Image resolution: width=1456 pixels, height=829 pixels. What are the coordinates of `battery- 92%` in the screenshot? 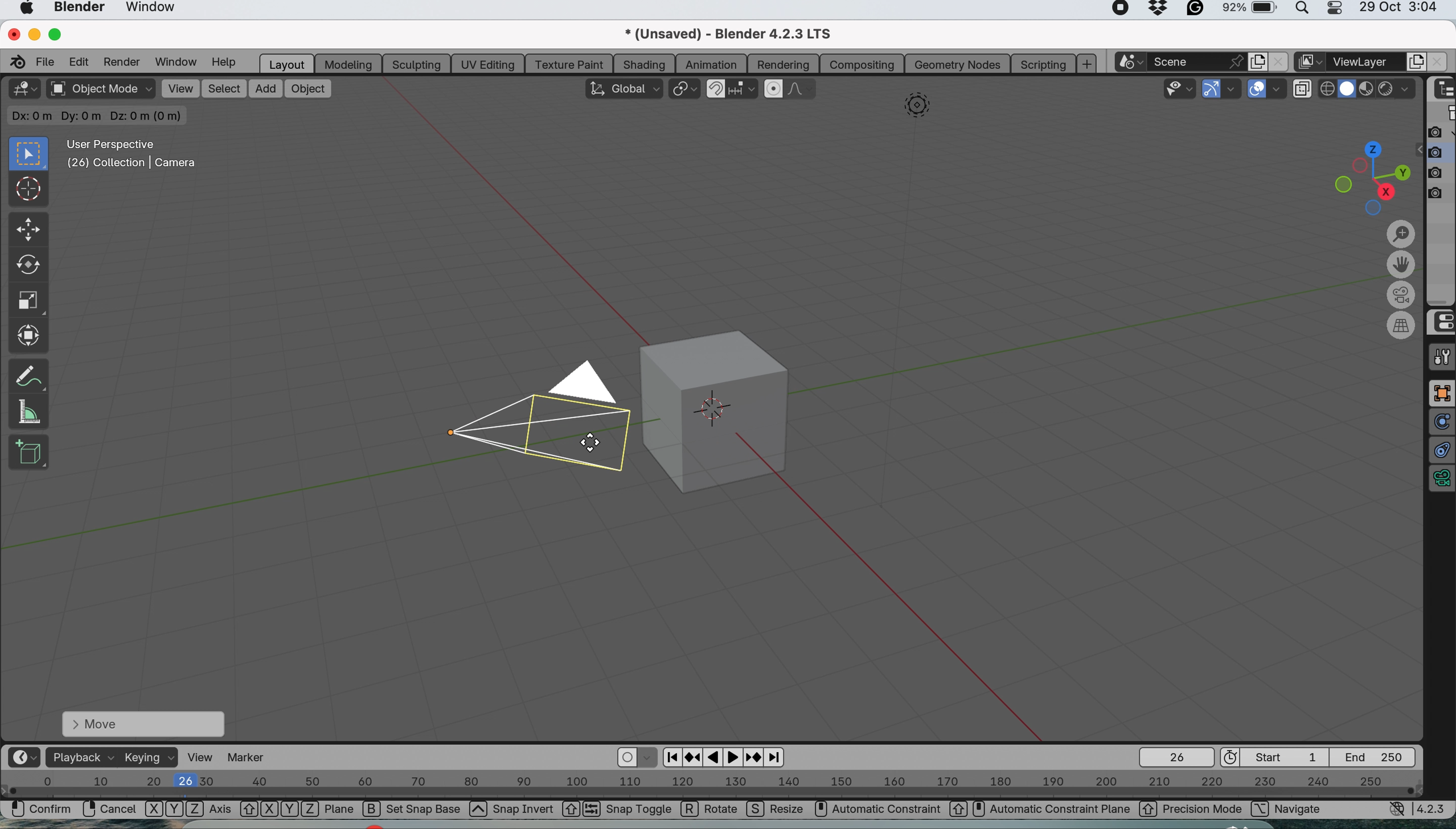 It's located at (1256, 11).